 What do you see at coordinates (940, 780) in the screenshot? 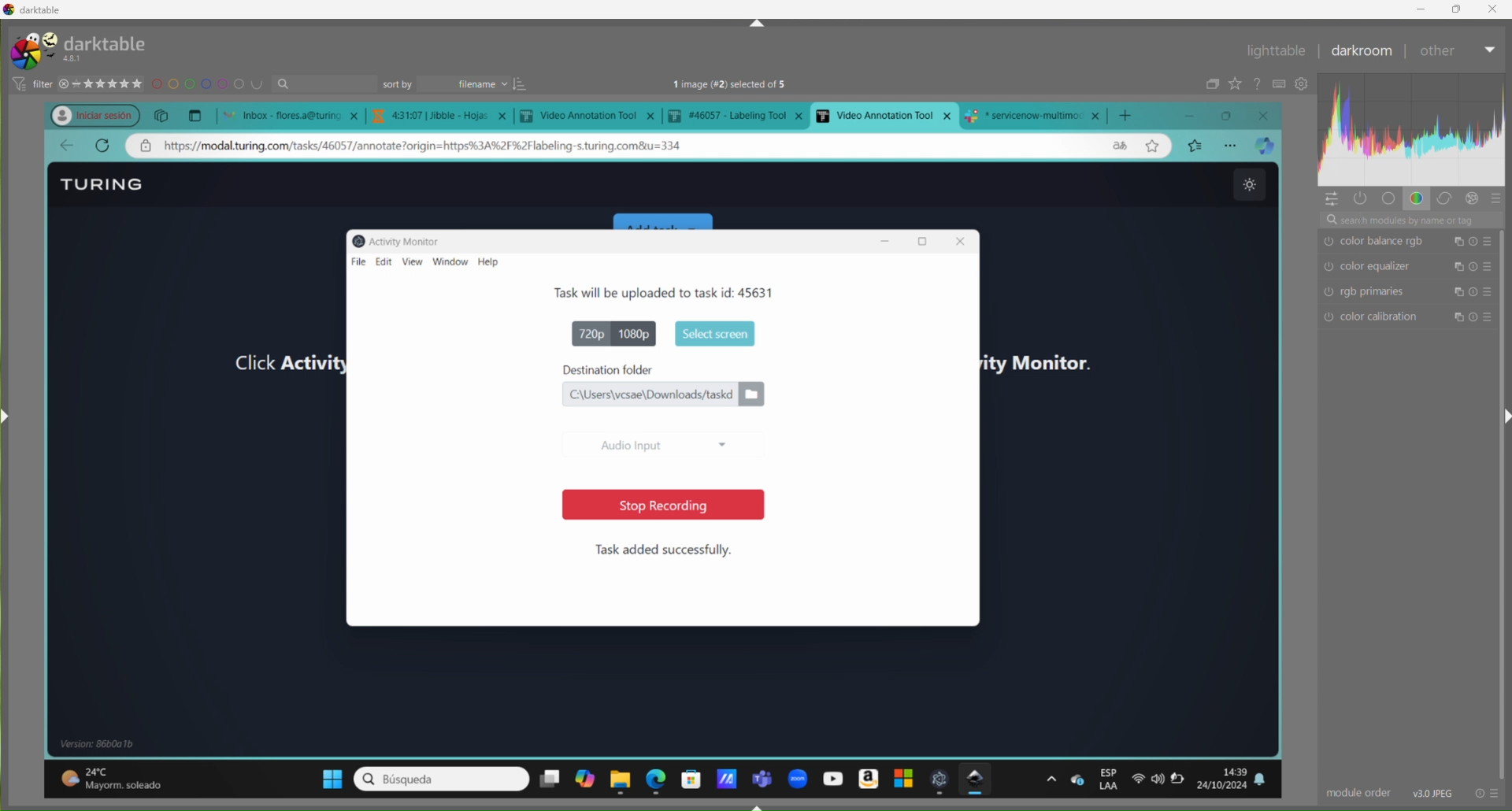
I see `open appliction` at bounding box center [940, 780].